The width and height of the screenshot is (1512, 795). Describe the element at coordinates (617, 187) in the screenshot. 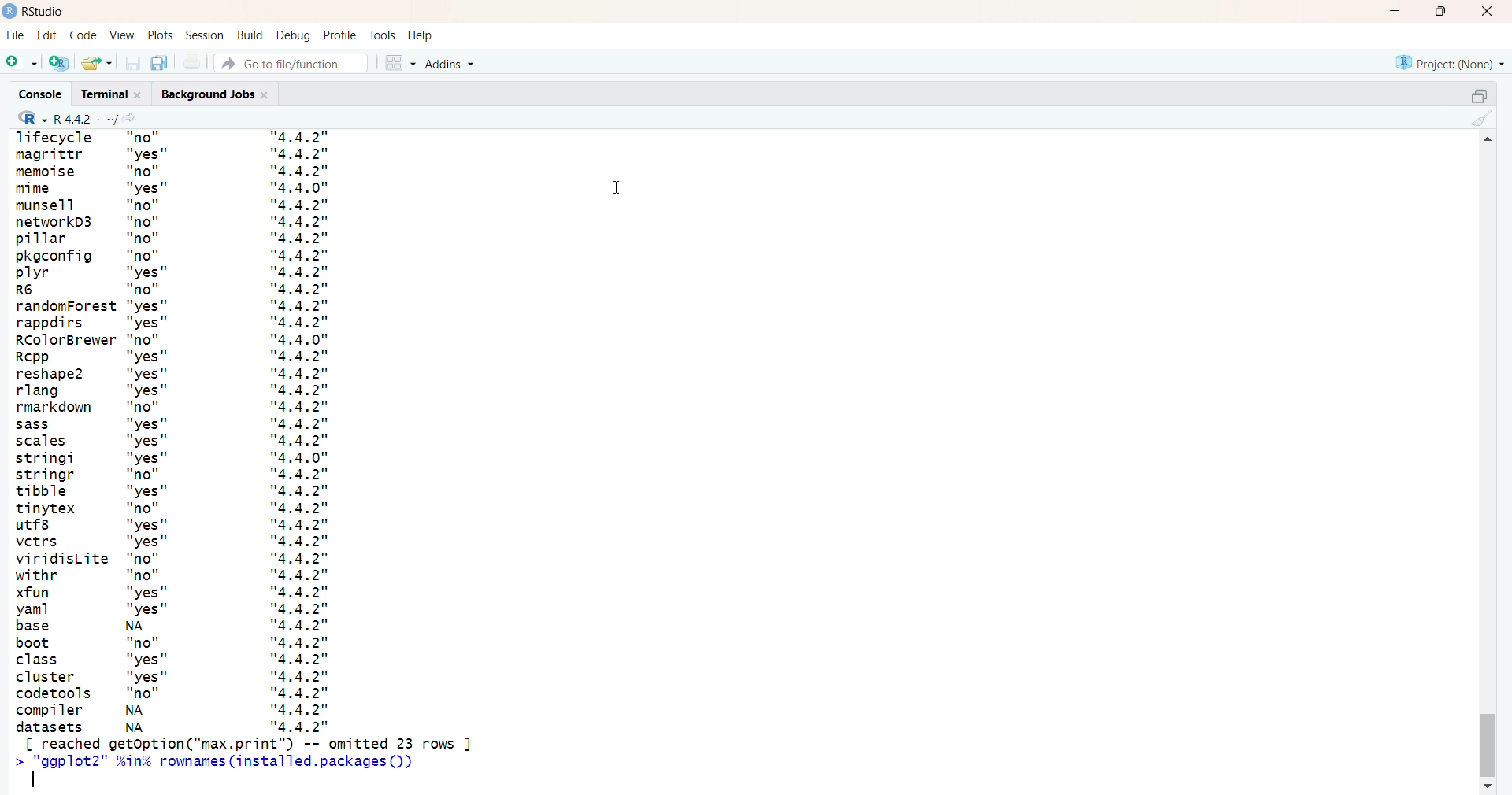

I see `cursor` at that location.